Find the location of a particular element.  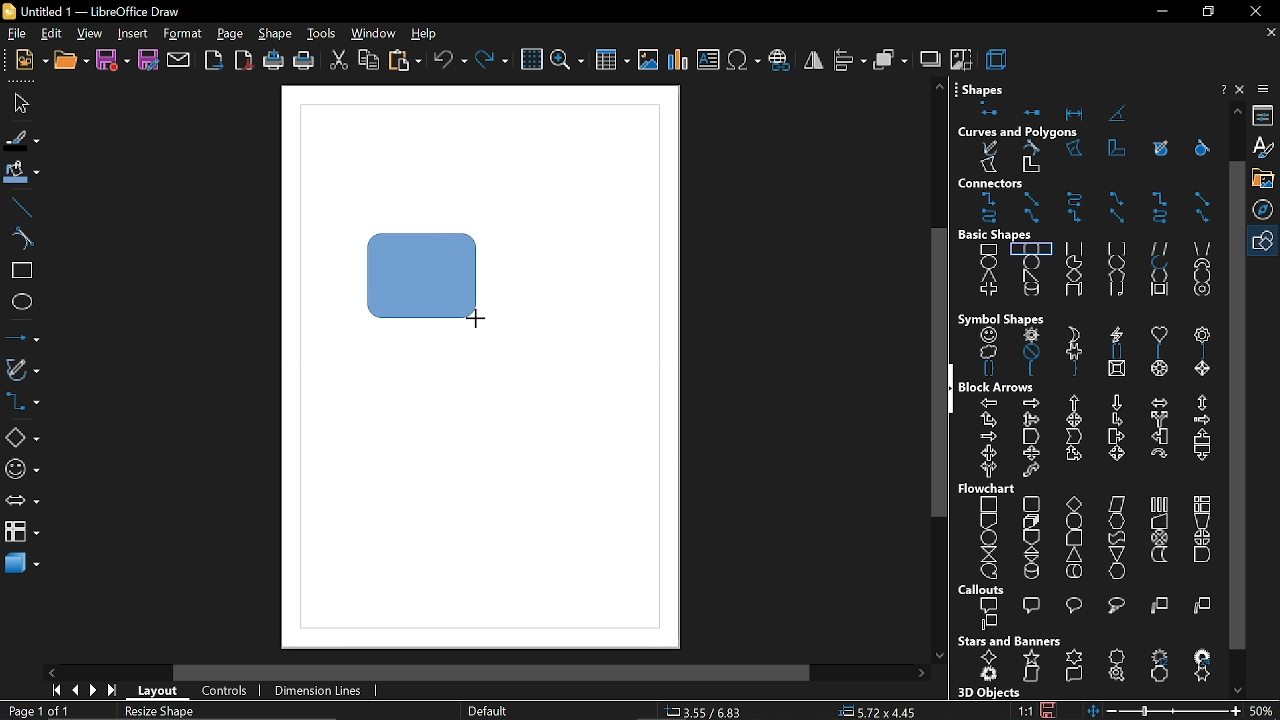

align is located at coordinates (851, 59).